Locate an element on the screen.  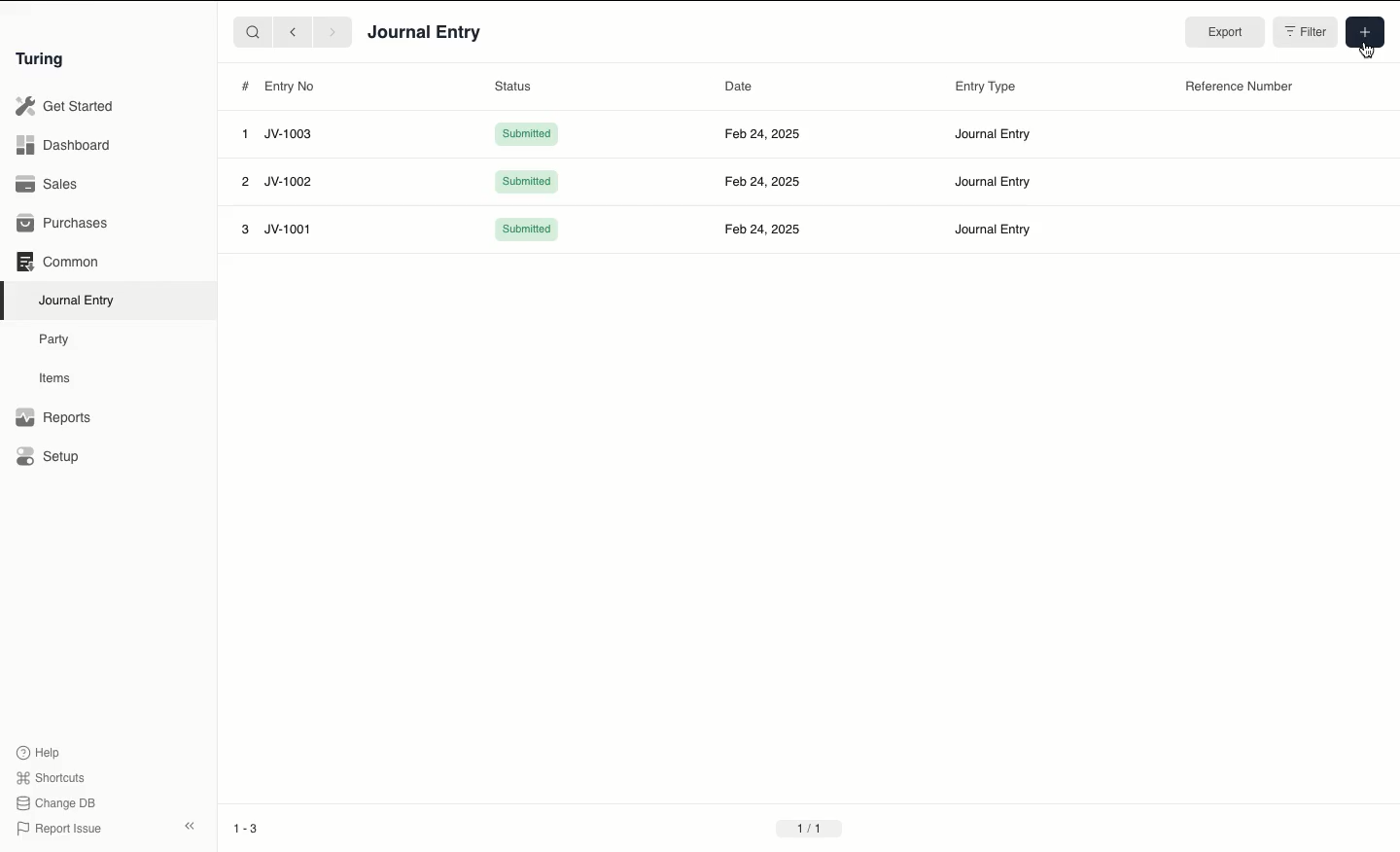
JV-1002 is located at coordinates (292, 181).